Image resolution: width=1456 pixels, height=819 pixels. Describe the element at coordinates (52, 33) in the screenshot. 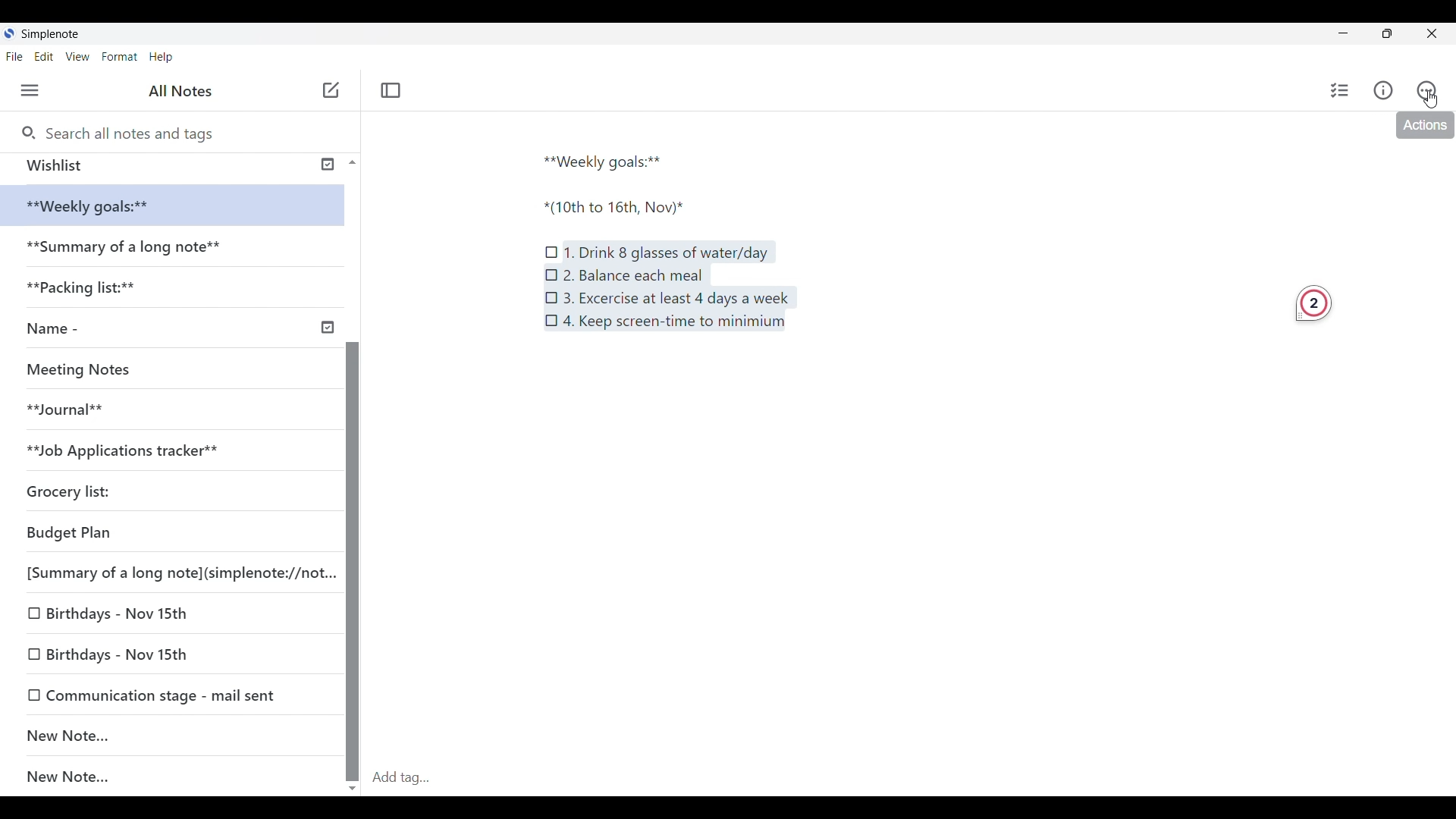

I see `Simple note` at that location.